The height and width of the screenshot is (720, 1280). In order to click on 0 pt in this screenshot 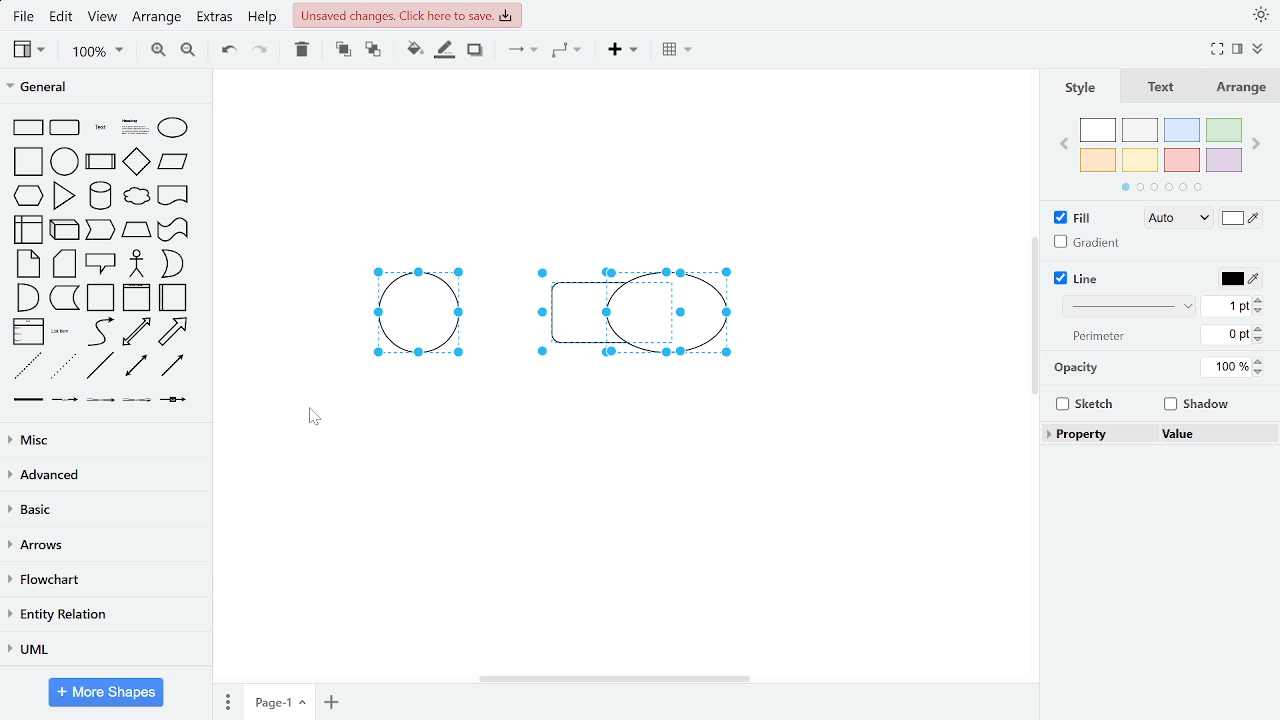, I will do `click(1228, 334)`.